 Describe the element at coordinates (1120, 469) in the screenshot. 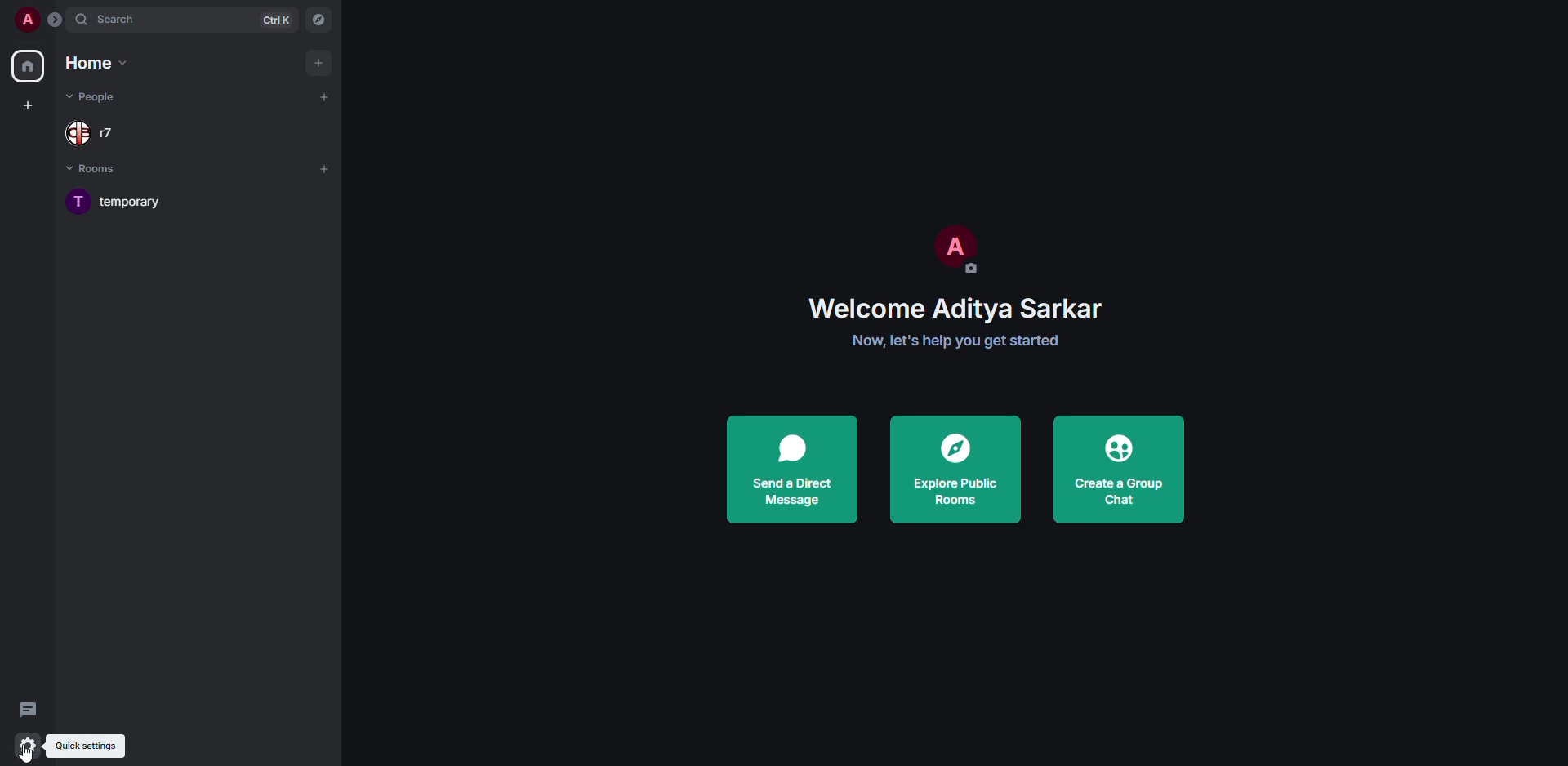

I see `create a group chat` at that location.